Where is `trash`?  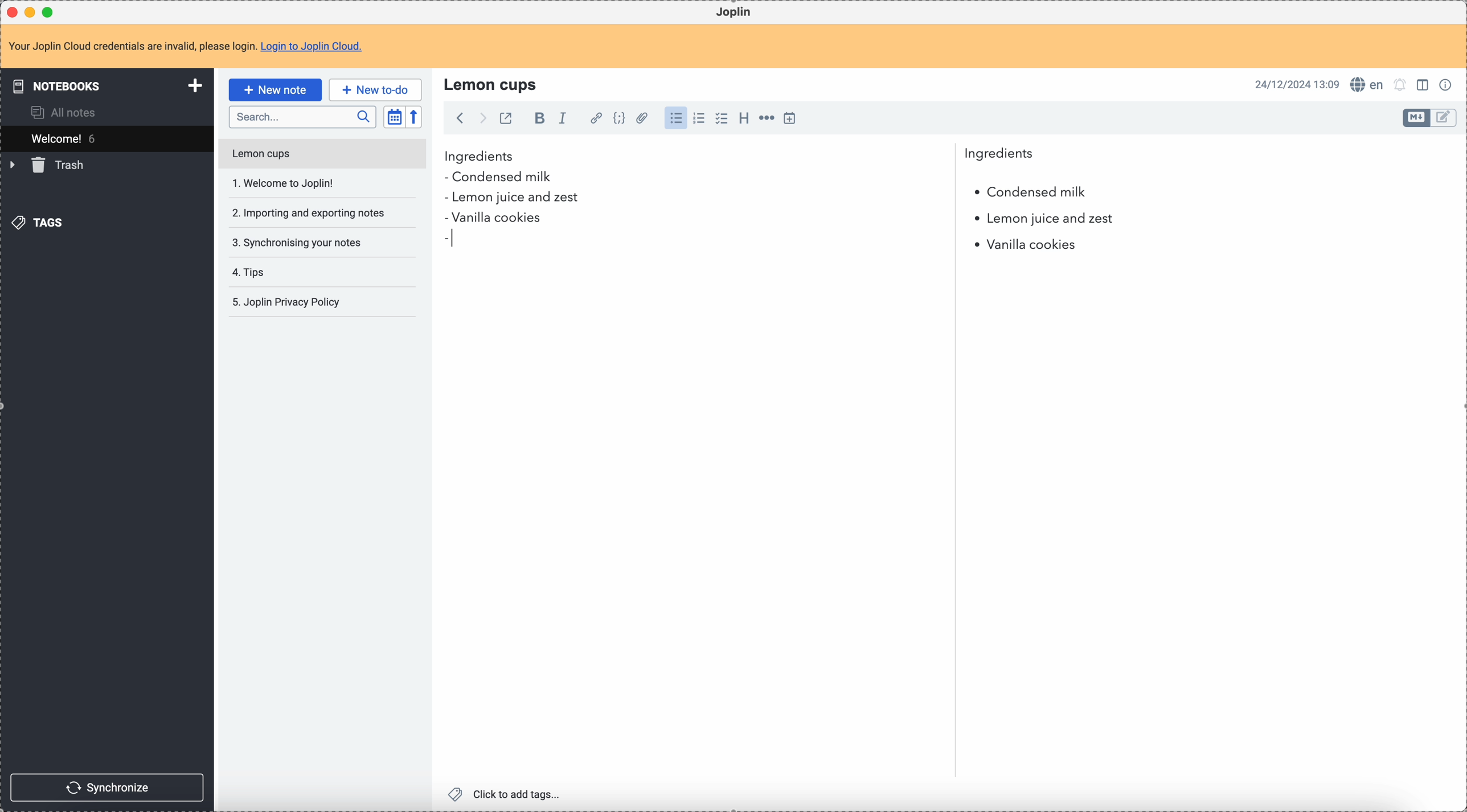
trash is located at coordinates (49, 165).